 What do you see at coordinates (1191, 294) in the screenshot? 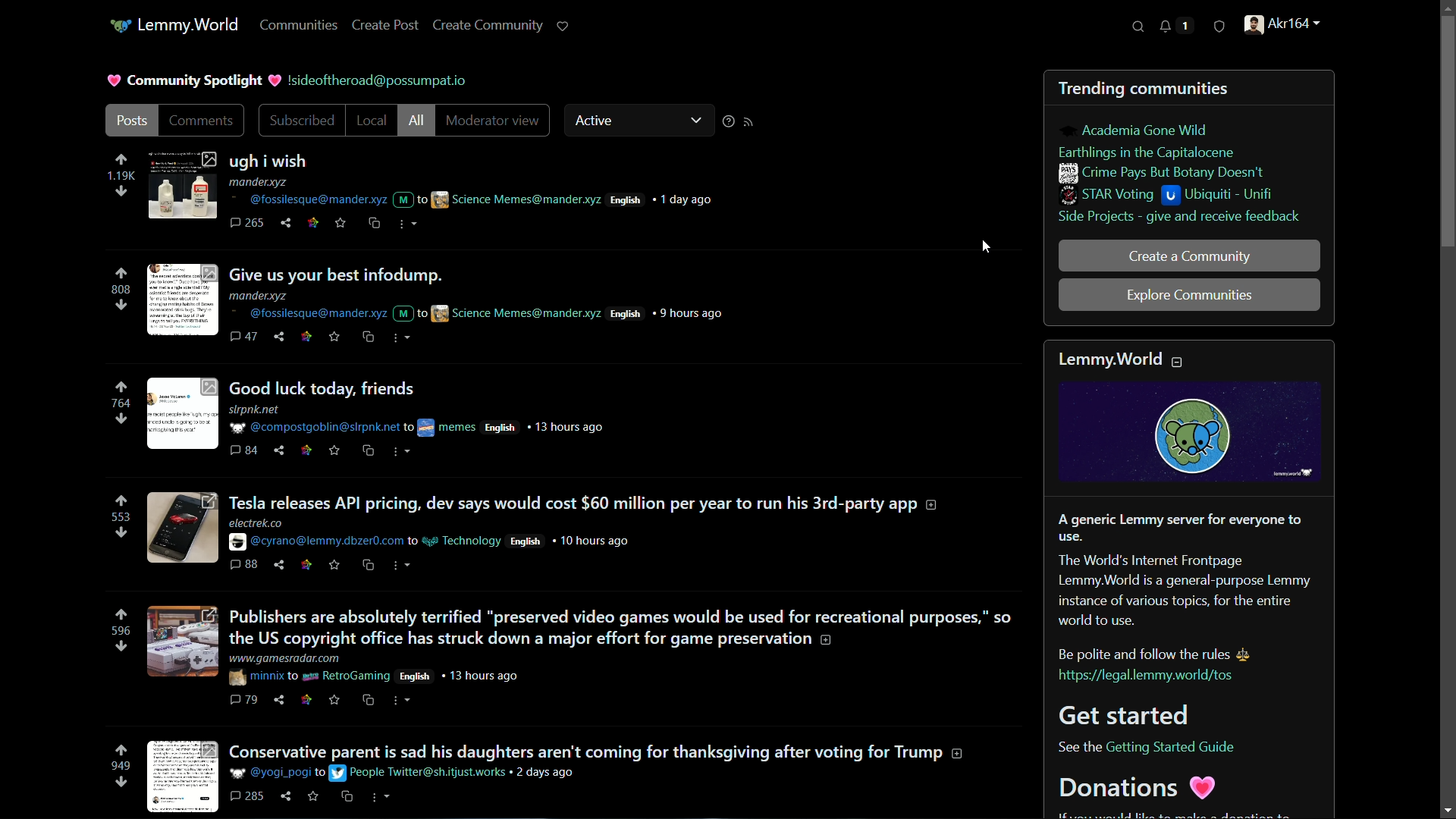
I see `explore communities` at bounding box center [1191, 294].